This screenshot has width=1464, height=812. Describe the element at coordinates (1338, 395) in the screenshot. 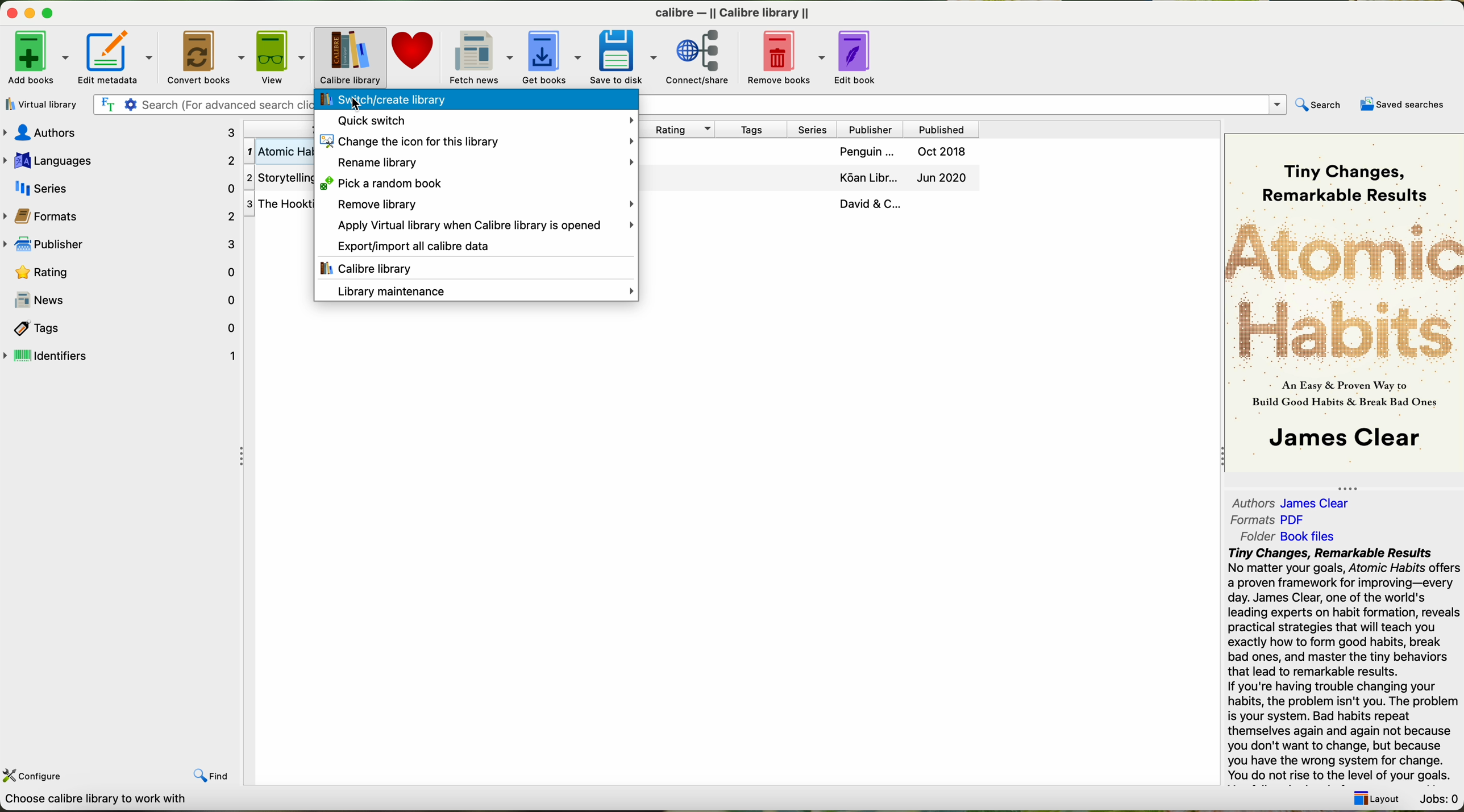

I see `As Easy & Proven Way toBuild Good Habits & Break Bad Ones` at that location.